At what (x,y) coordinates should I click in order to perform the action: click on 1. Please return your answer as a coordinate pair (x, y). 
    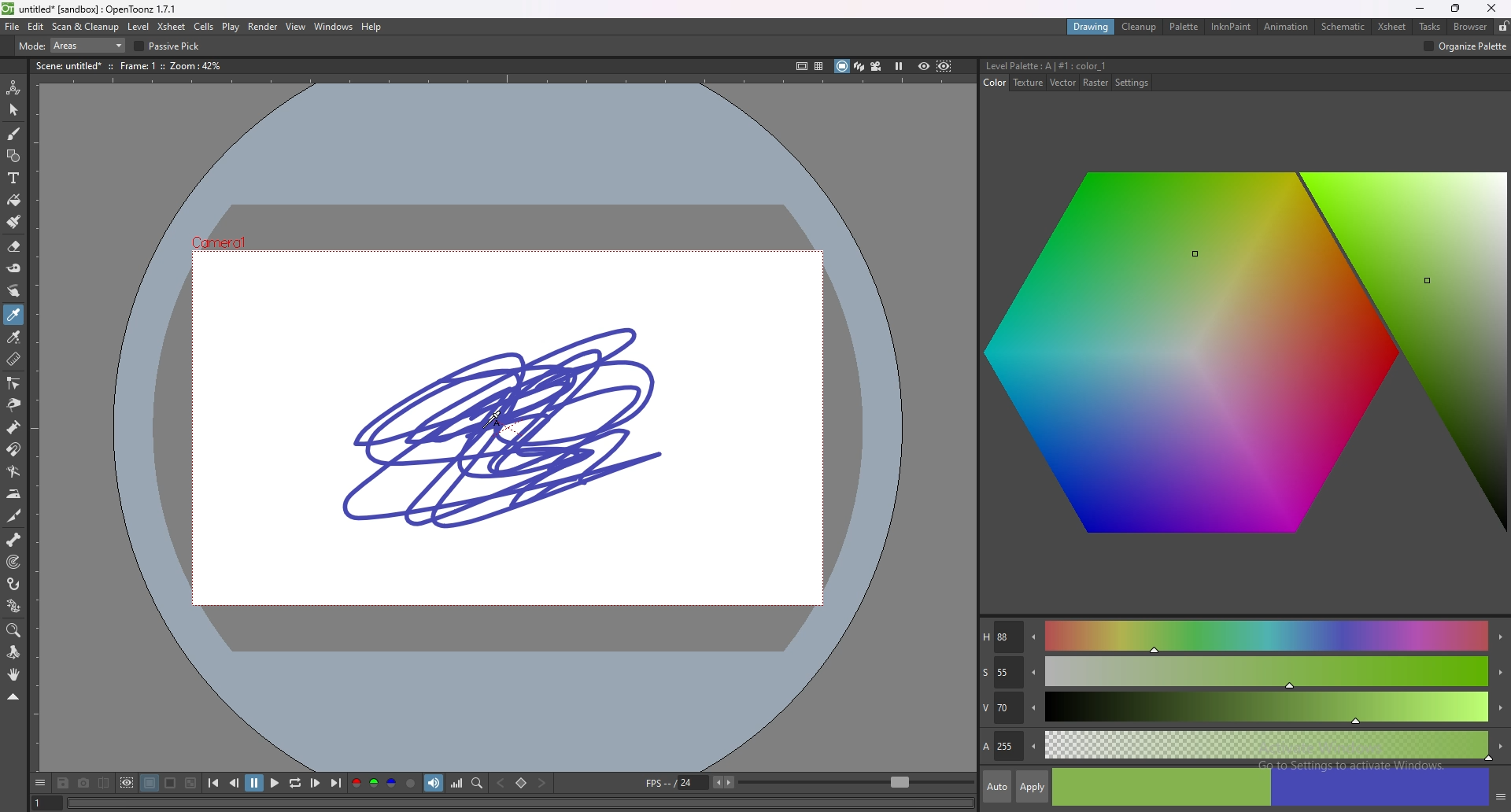
    Looking at the image, I should click on (45, 802).